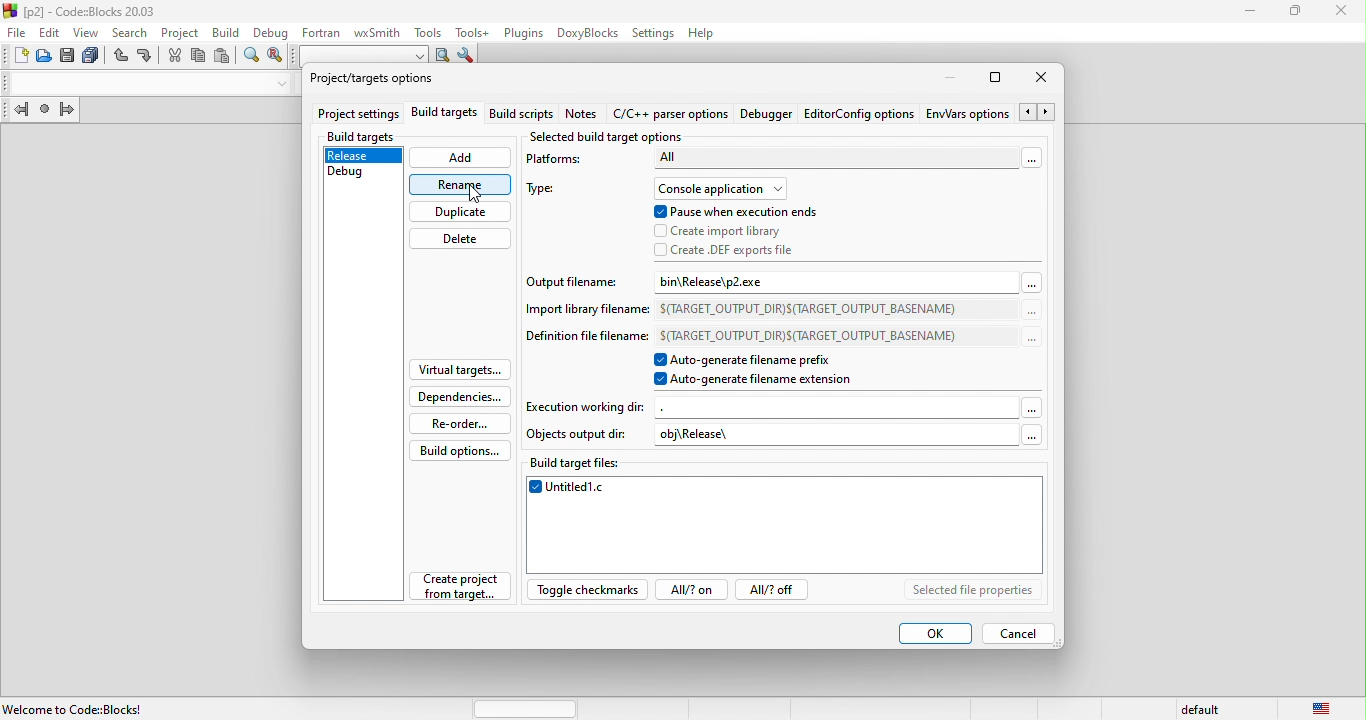 This screenshot has height=720, width=1366. What do you see at coordinates (585, 115) in the screenshot?
I see `notes` at bounding box center [585, 115].